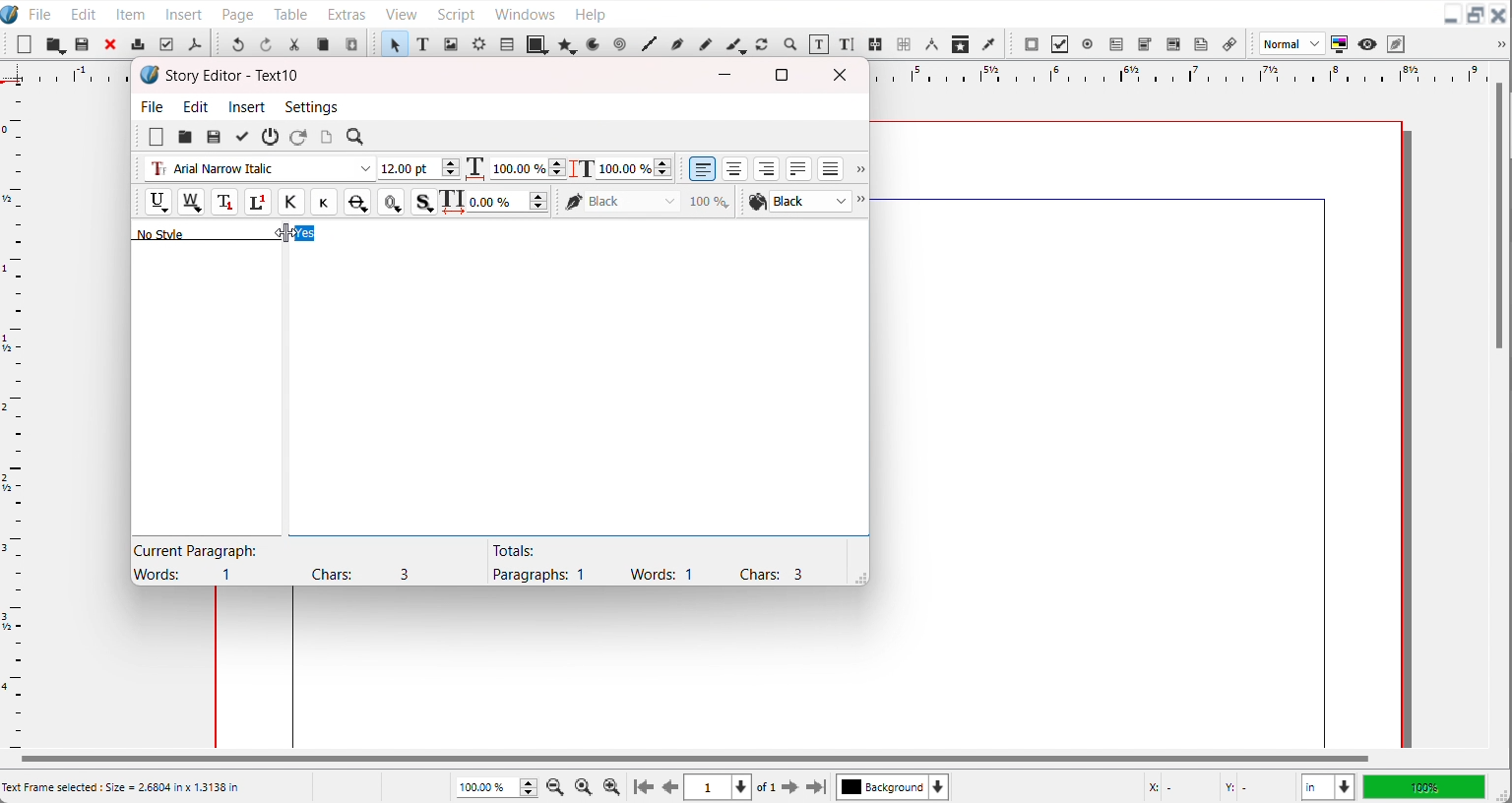 Image resolution: width=1512 pixels, height=803 pixels. I want to click on Copy, so click(323, 44).